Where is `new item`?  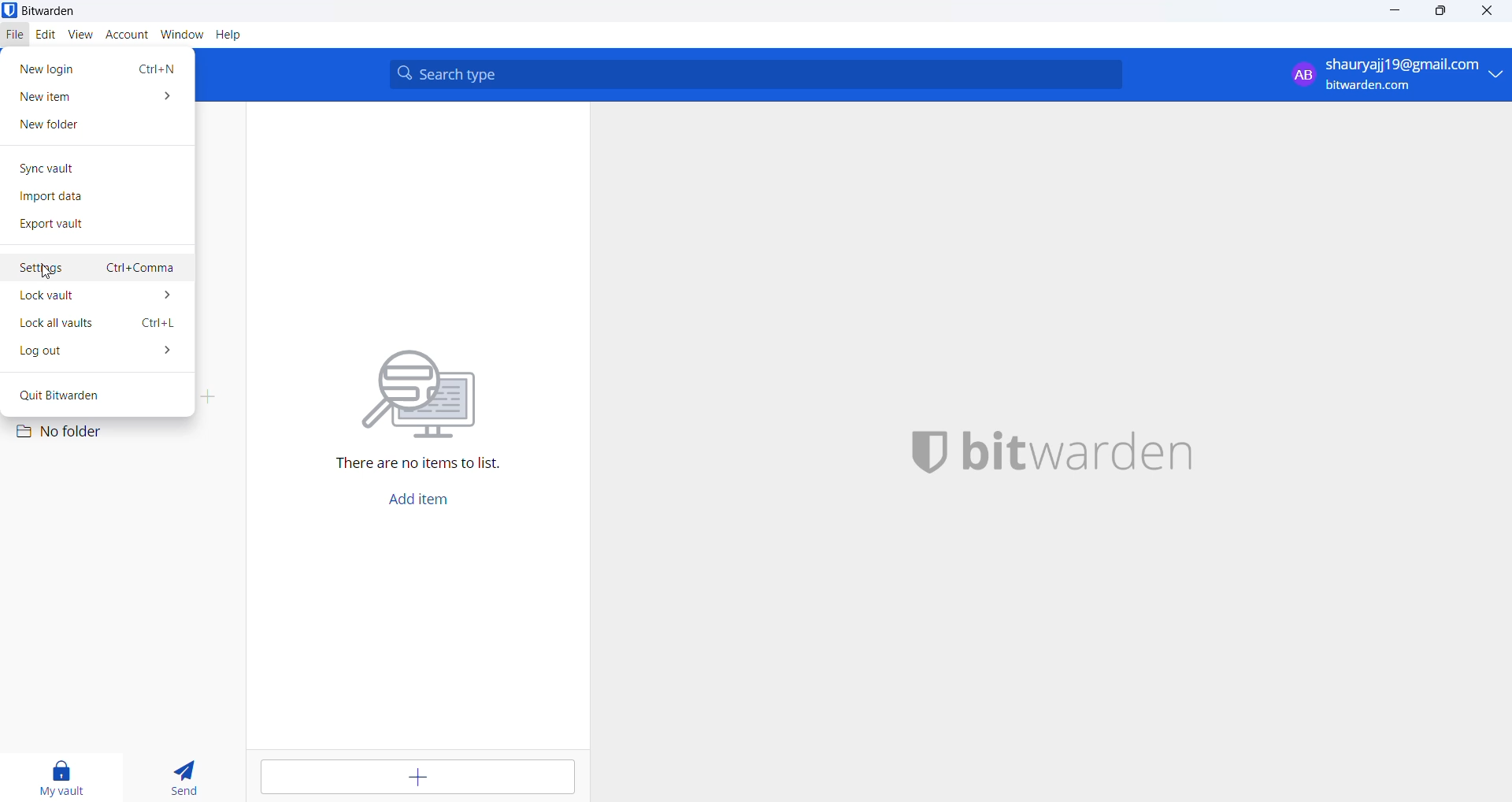
new item is located at coordinates (98, 96).